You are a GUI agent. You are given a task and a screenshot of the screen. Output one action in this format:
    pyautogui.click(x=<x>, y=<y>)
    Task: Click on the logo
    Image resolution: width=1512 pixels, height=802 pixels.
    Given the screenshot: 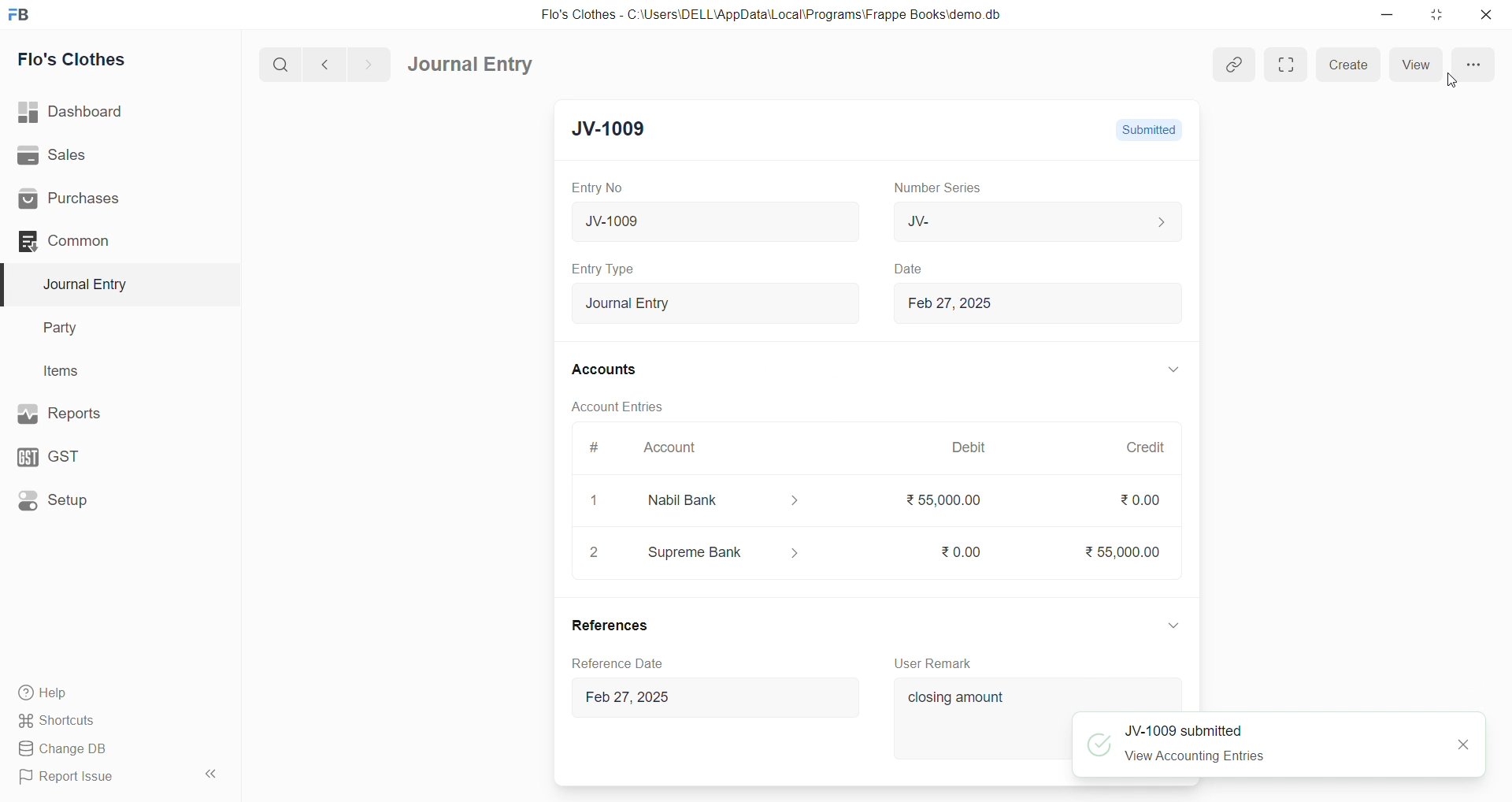 What is the action you would take?
    pyautogui.click(x=24, y=13)
    